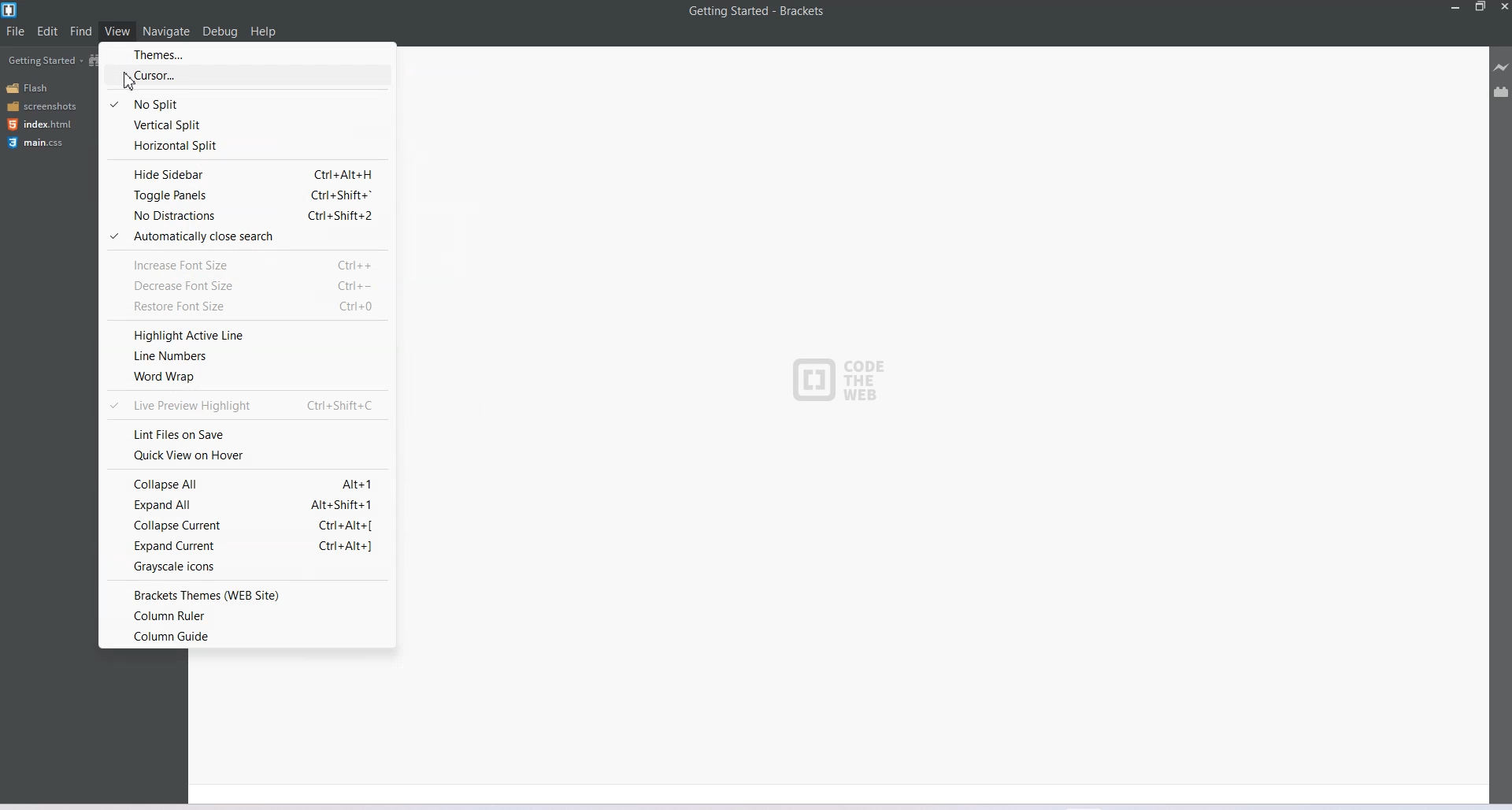 This screenshot has width=1512, height=810. What do you see at coordinates (245, 125) in the screenshot?
I see `Vertical split` at bounding box center [245, 125].